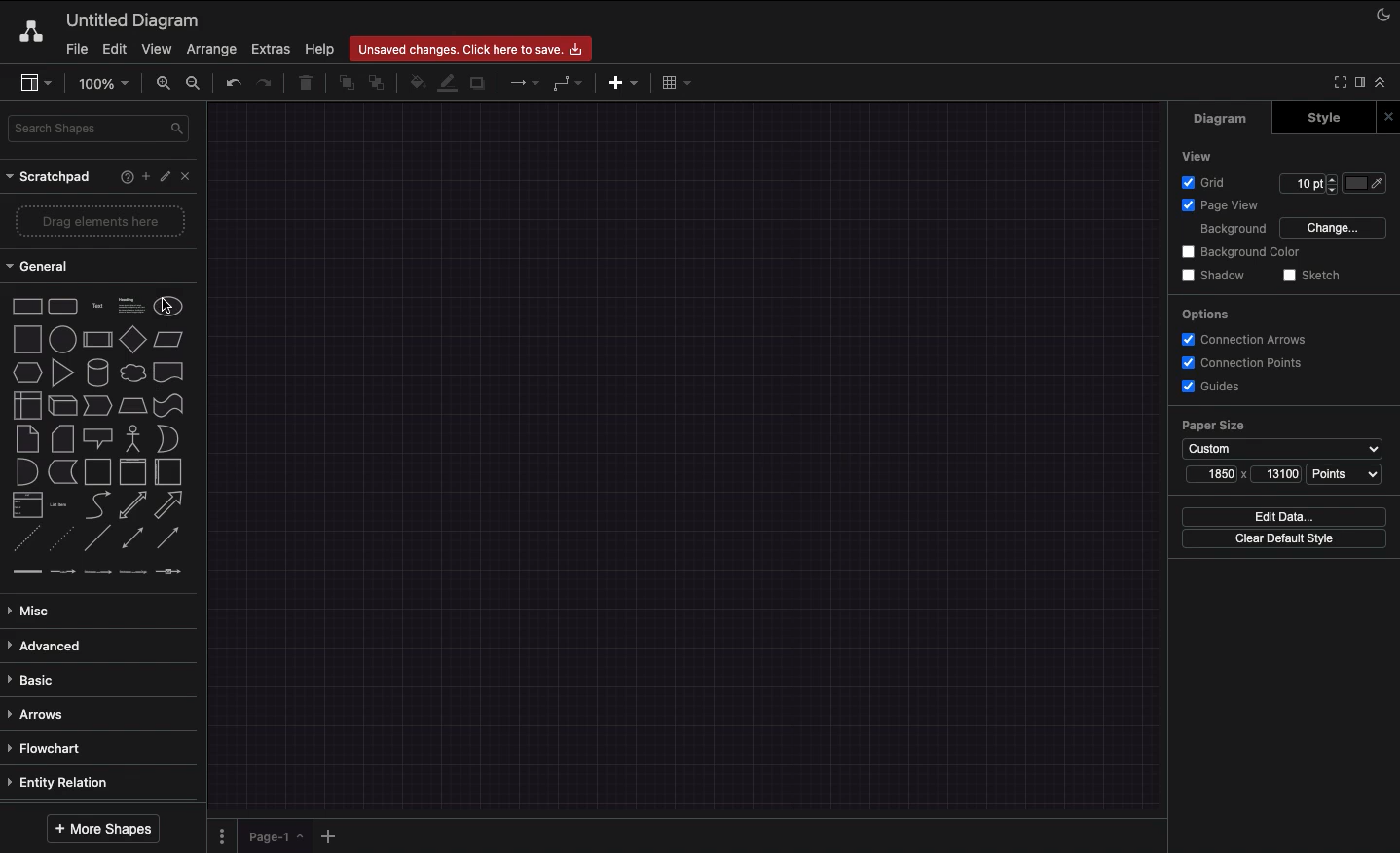 The width and height of the screenshot is (1400, 853). I want to click on Flowchart, so click(48, 748).